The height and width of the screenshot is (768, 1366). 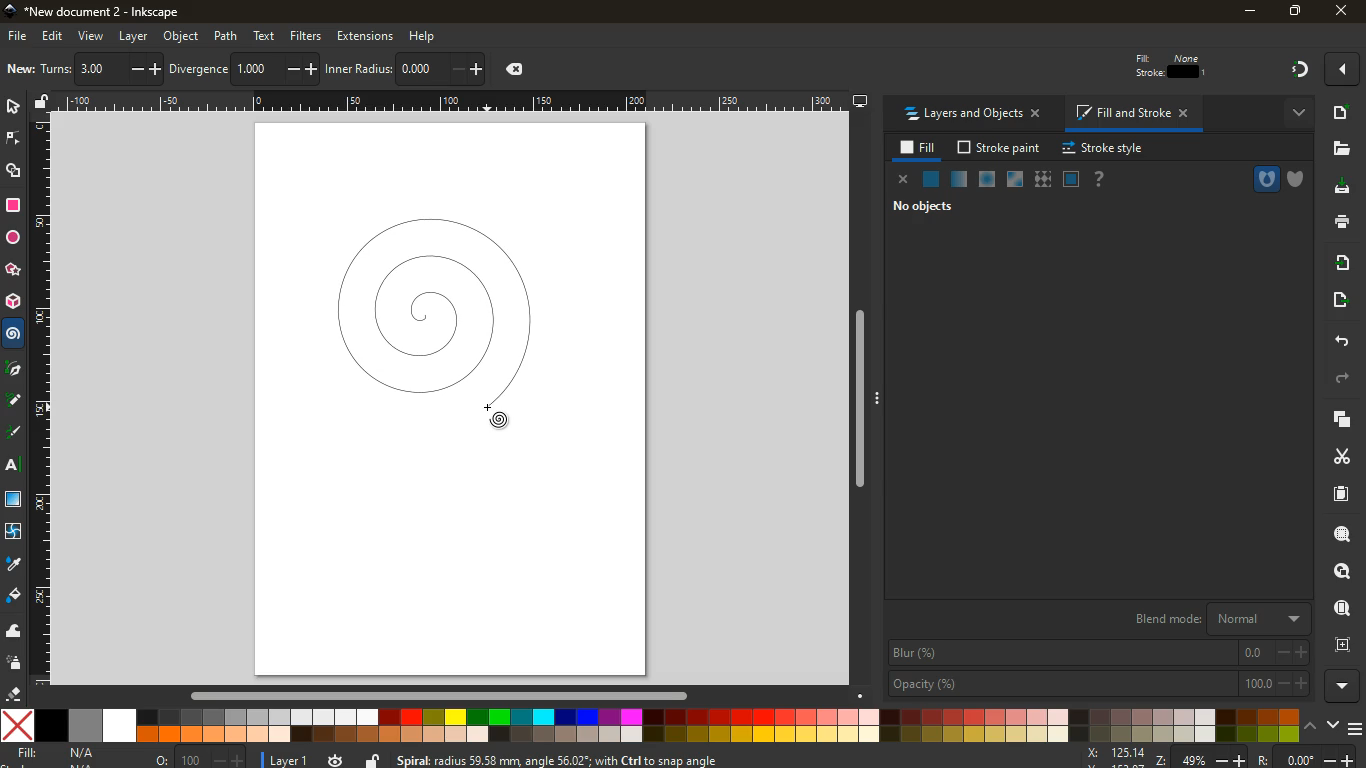 What do you see at coordinates (15, 369) in the screenshot?
I see `` at bounding box center [15, 369].